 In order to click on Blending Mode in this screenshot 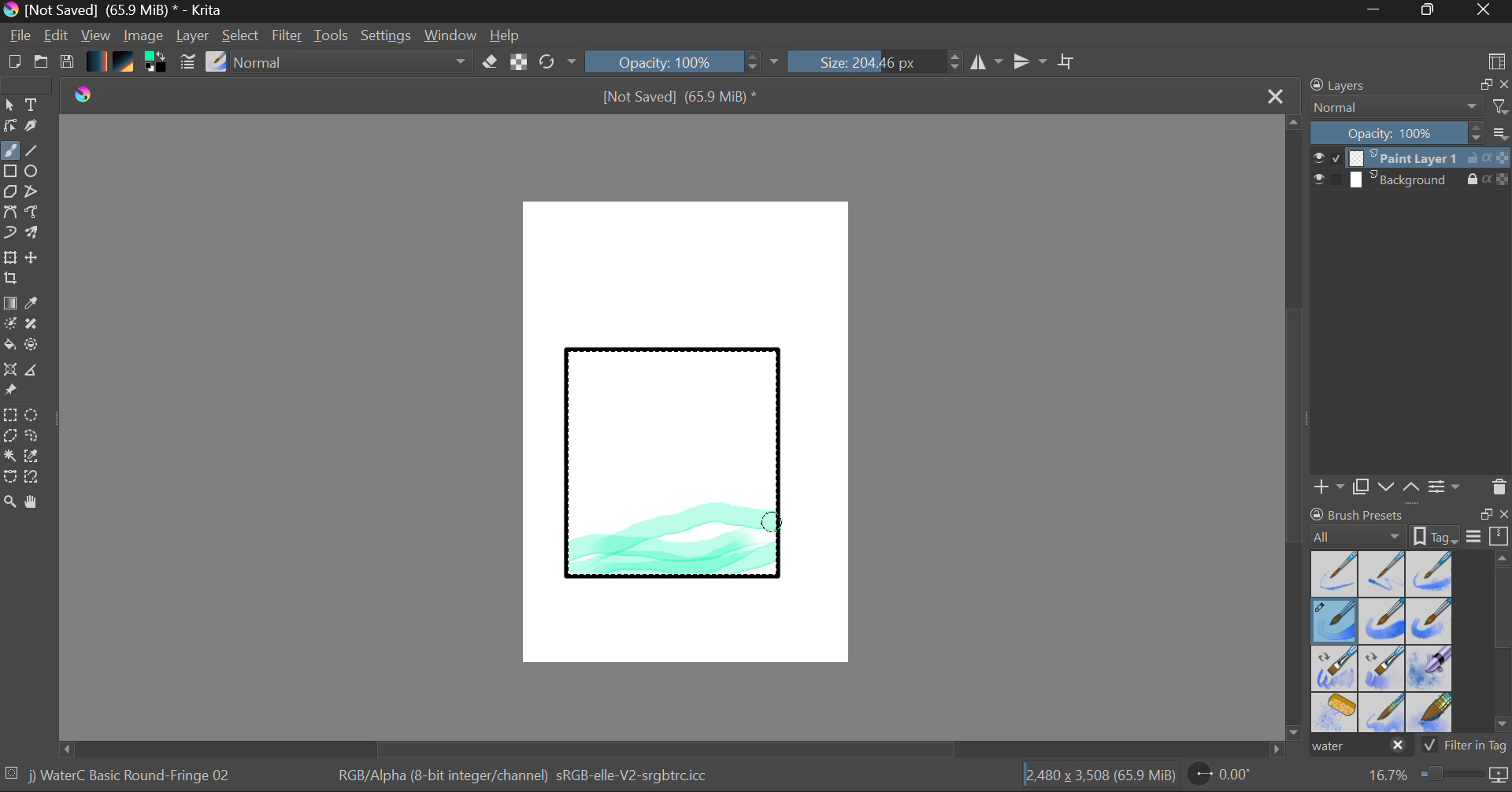, I will do `click(1410, 107)`.